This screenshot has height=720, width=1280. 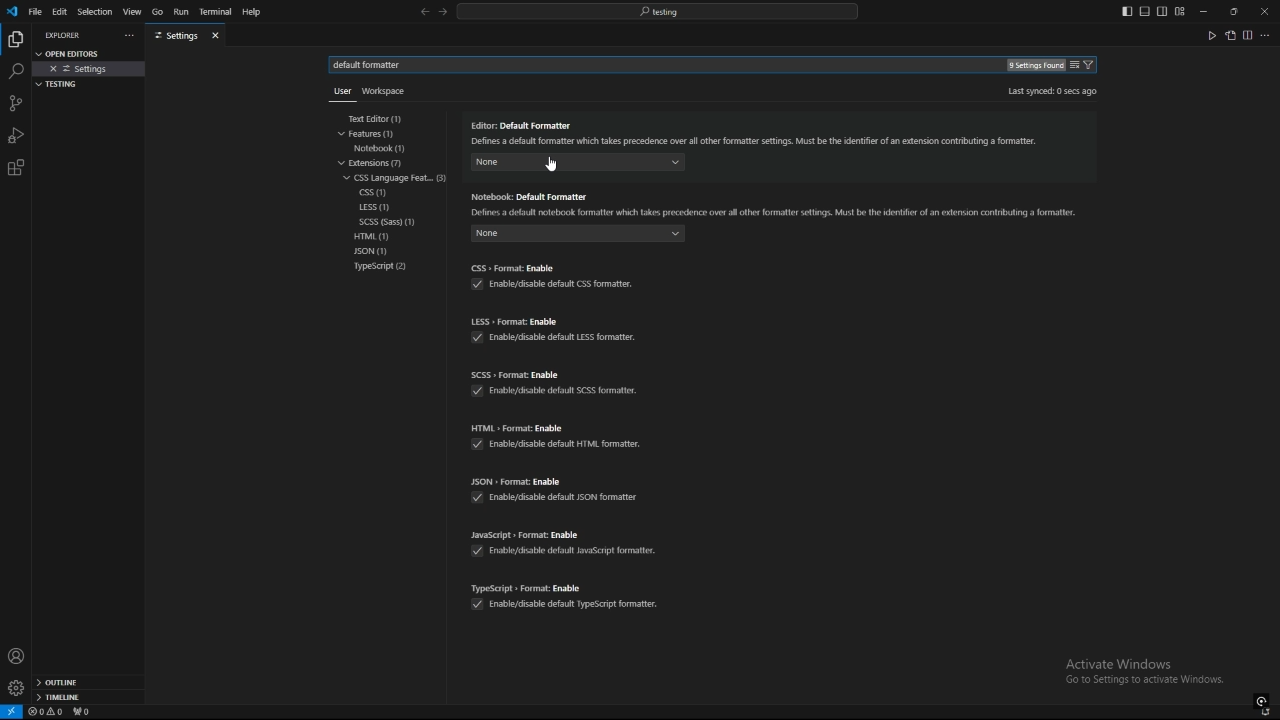 I want to click on testing, so click(x=61, y=84).